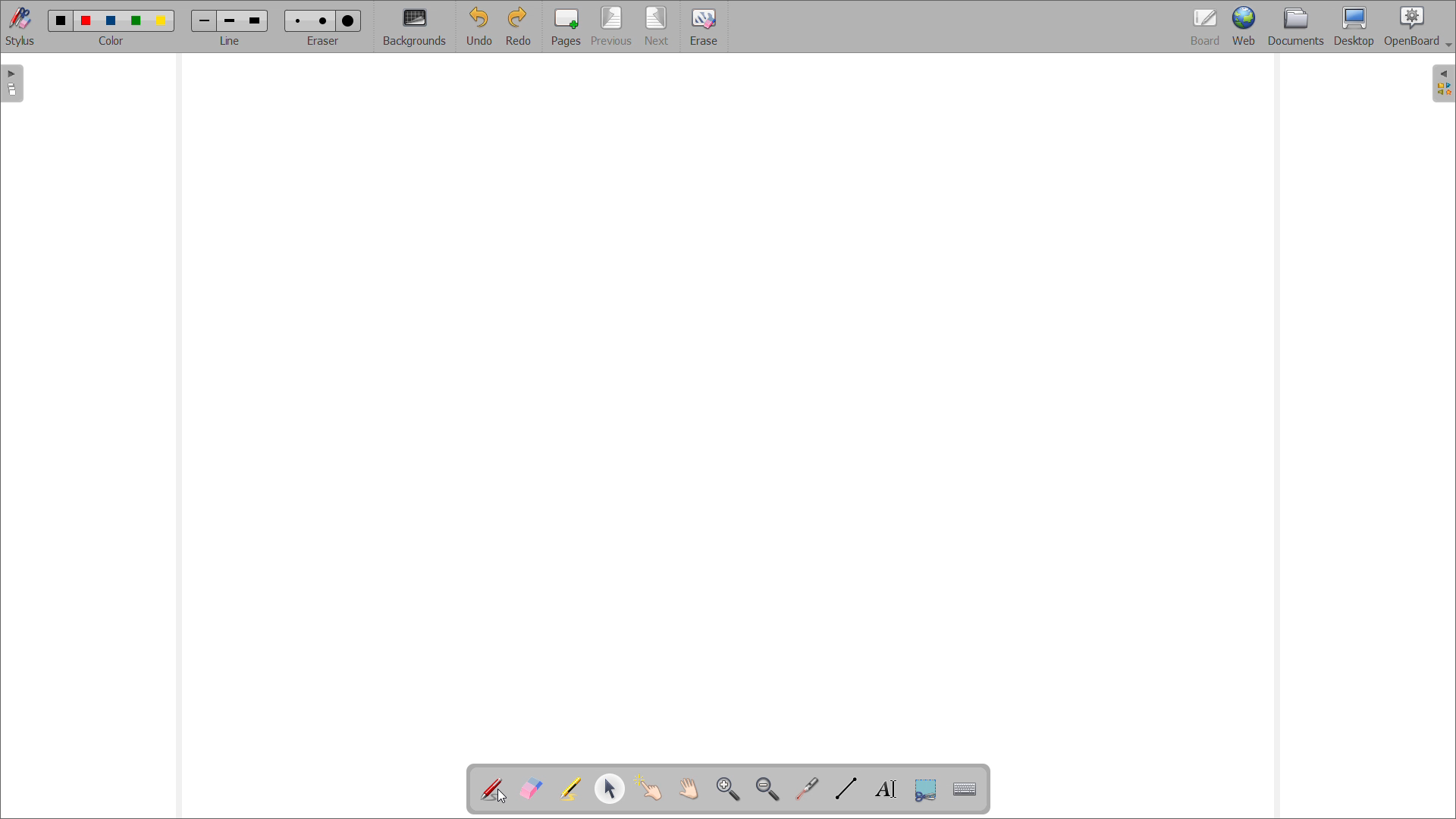 The width and height of the screenshot is (1456, 819). I want to click on draw text, so click(887, 789).